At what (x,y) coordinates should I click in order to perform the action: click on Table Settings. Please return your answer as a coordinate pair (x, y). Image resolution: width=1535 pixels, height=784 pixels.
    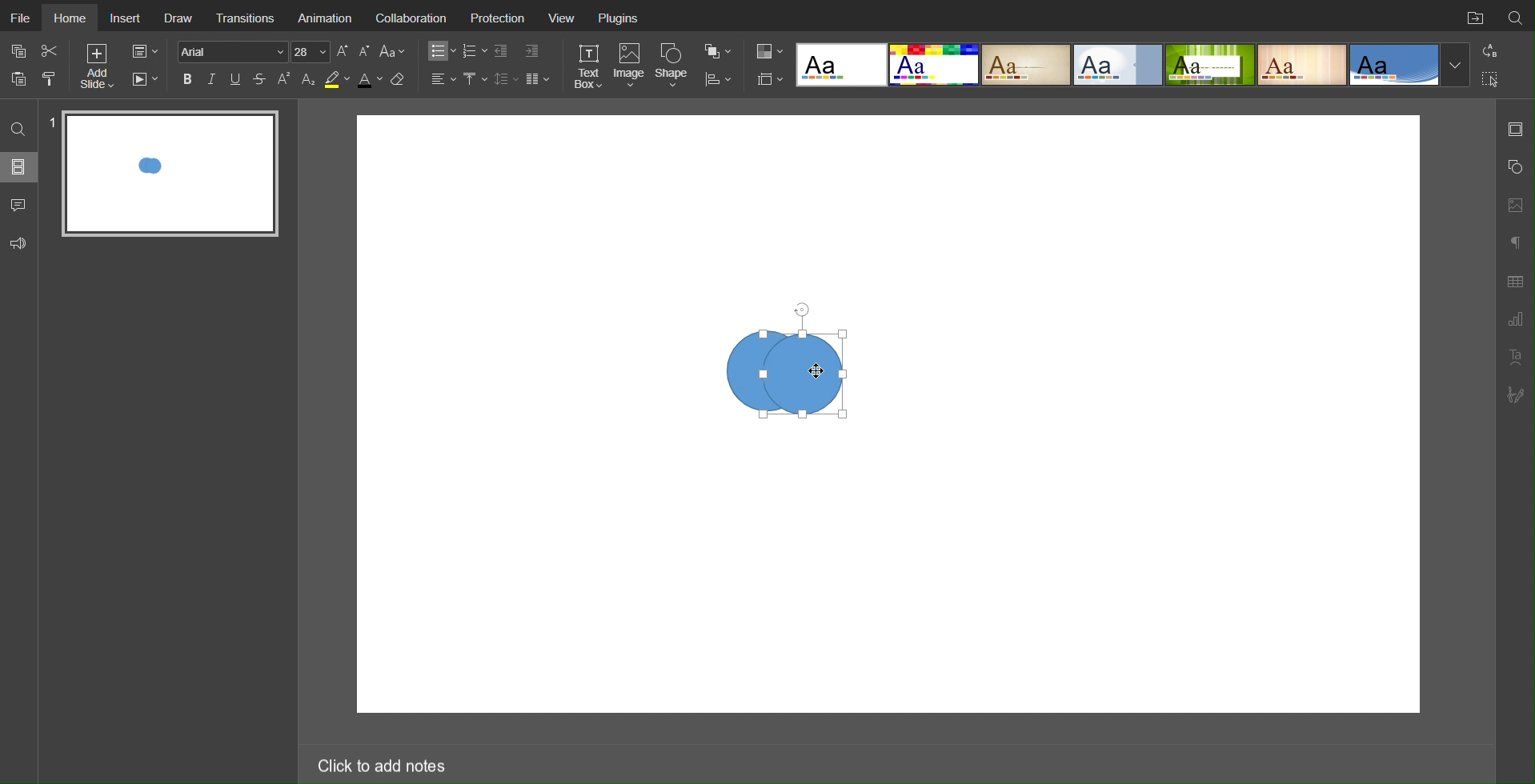
    Looking at the image, I should click on (1515, 280).